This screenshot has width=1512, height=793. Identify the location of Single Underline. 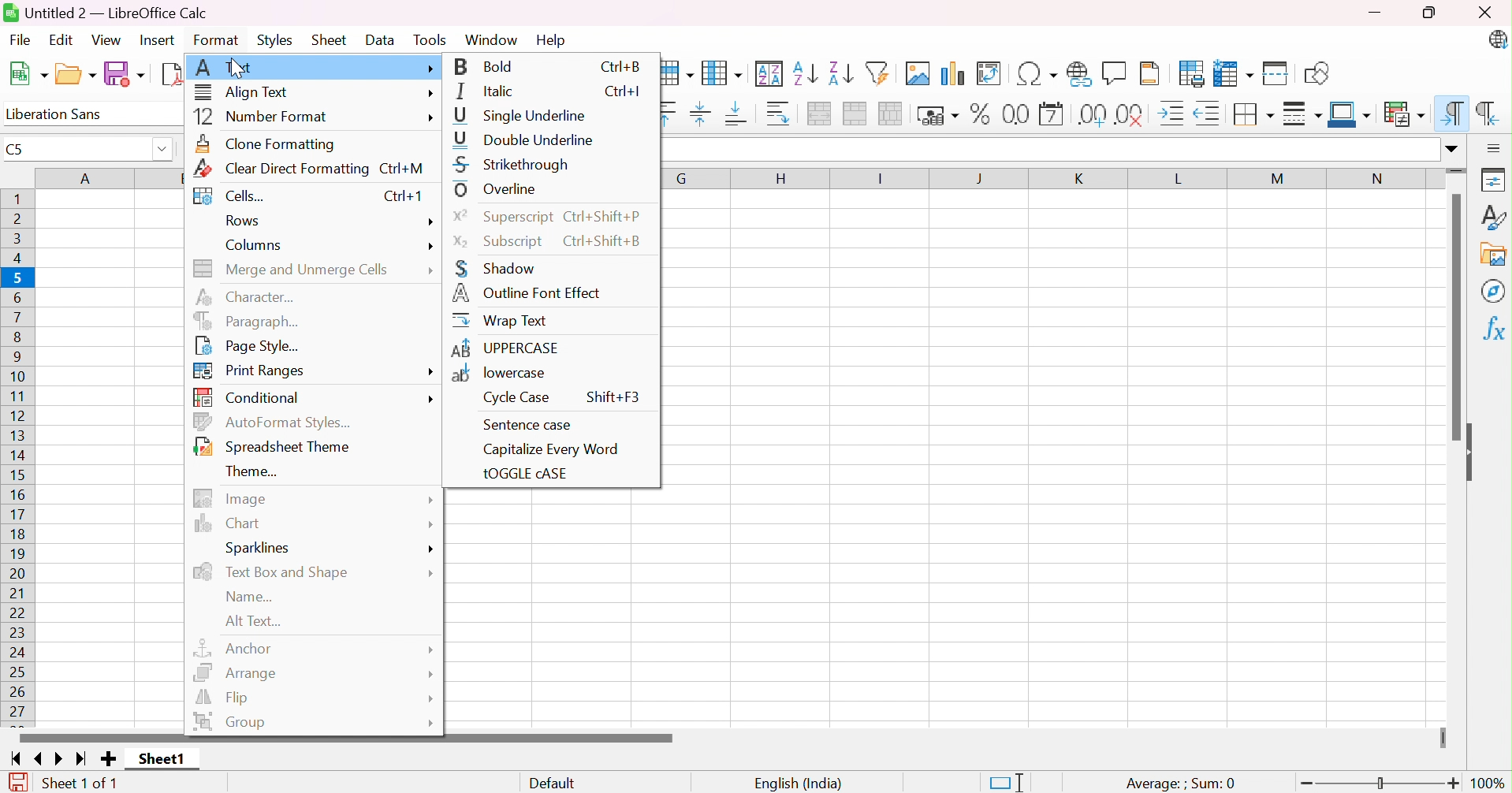
(523, 116).